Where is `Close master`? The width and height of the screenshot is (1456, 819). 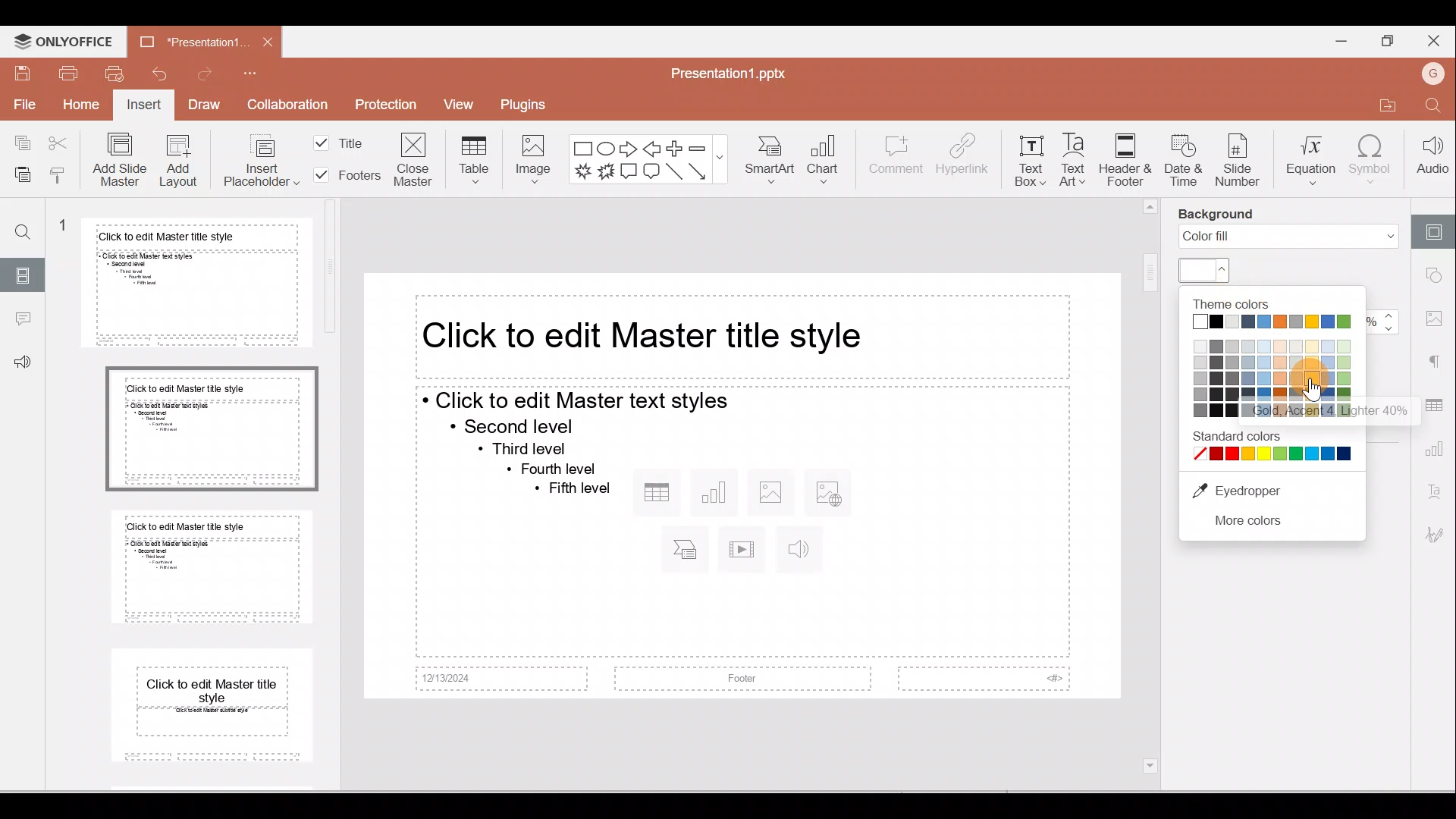
Close master is located at coordinates (413, 162).